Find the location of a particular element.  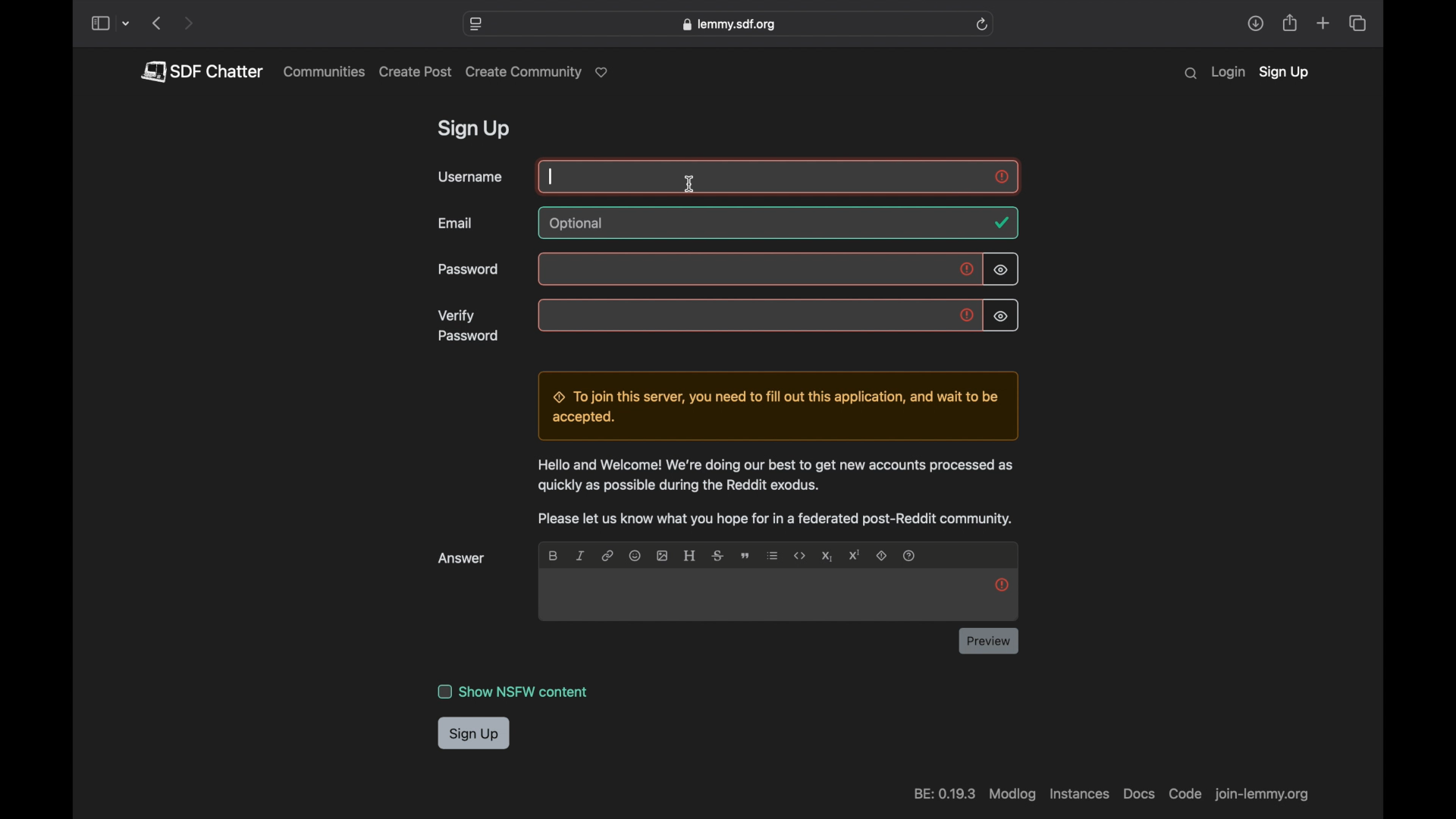

header is located at coordinates (690, 555).